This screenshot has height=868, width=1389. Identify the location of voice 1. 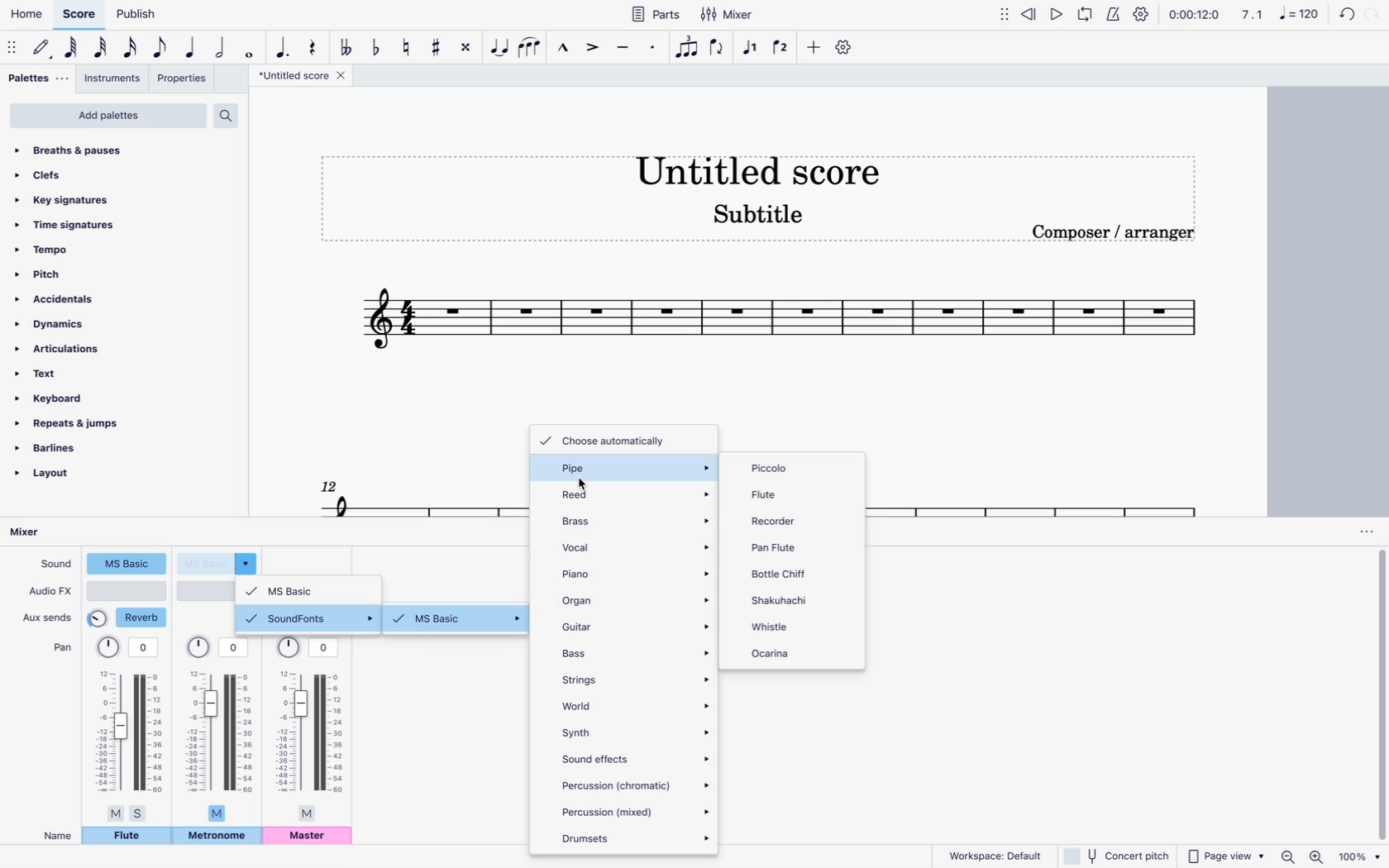
(751, 48).